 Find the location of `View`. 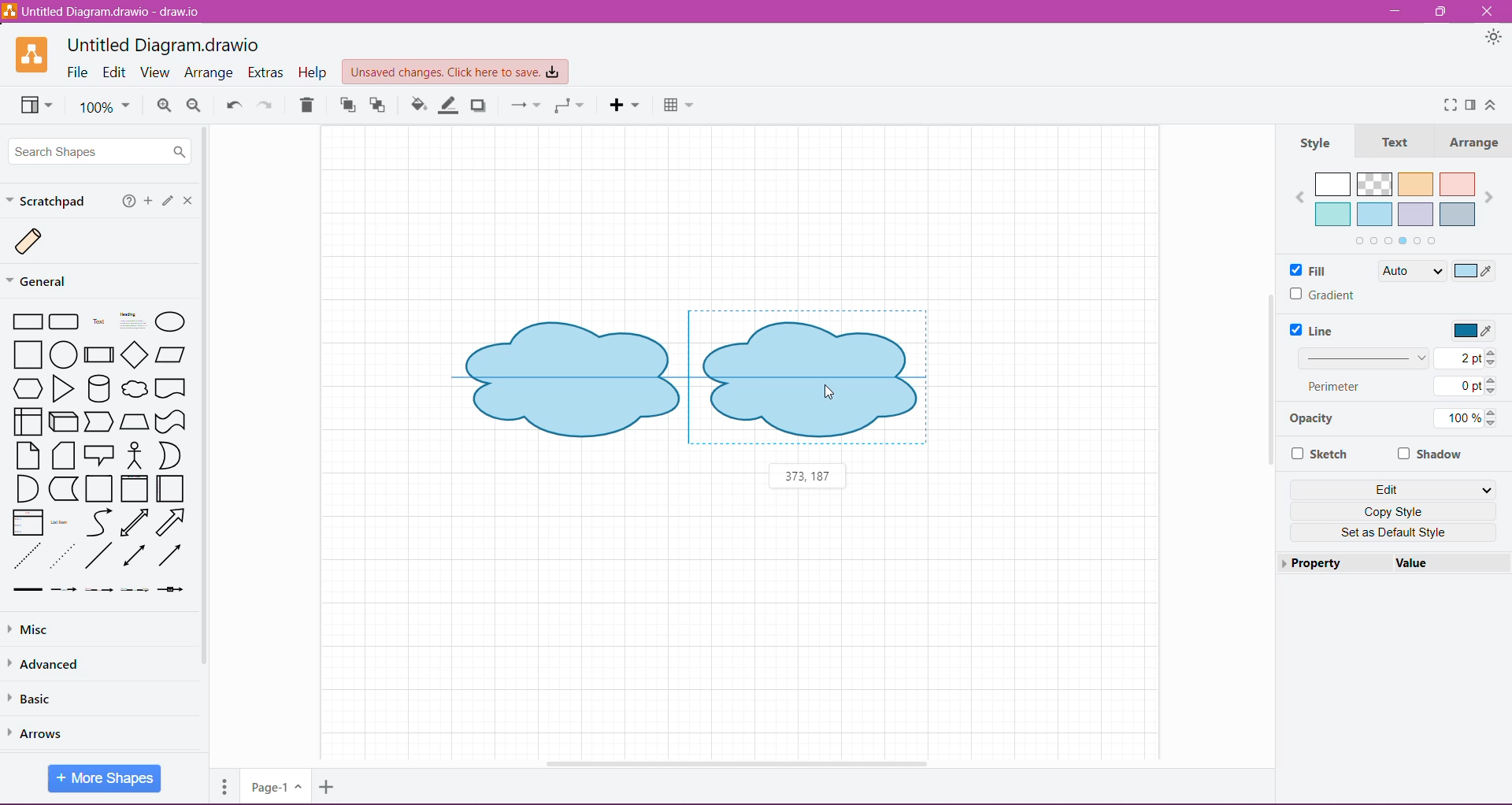

View is located at coordinates (39, 106).